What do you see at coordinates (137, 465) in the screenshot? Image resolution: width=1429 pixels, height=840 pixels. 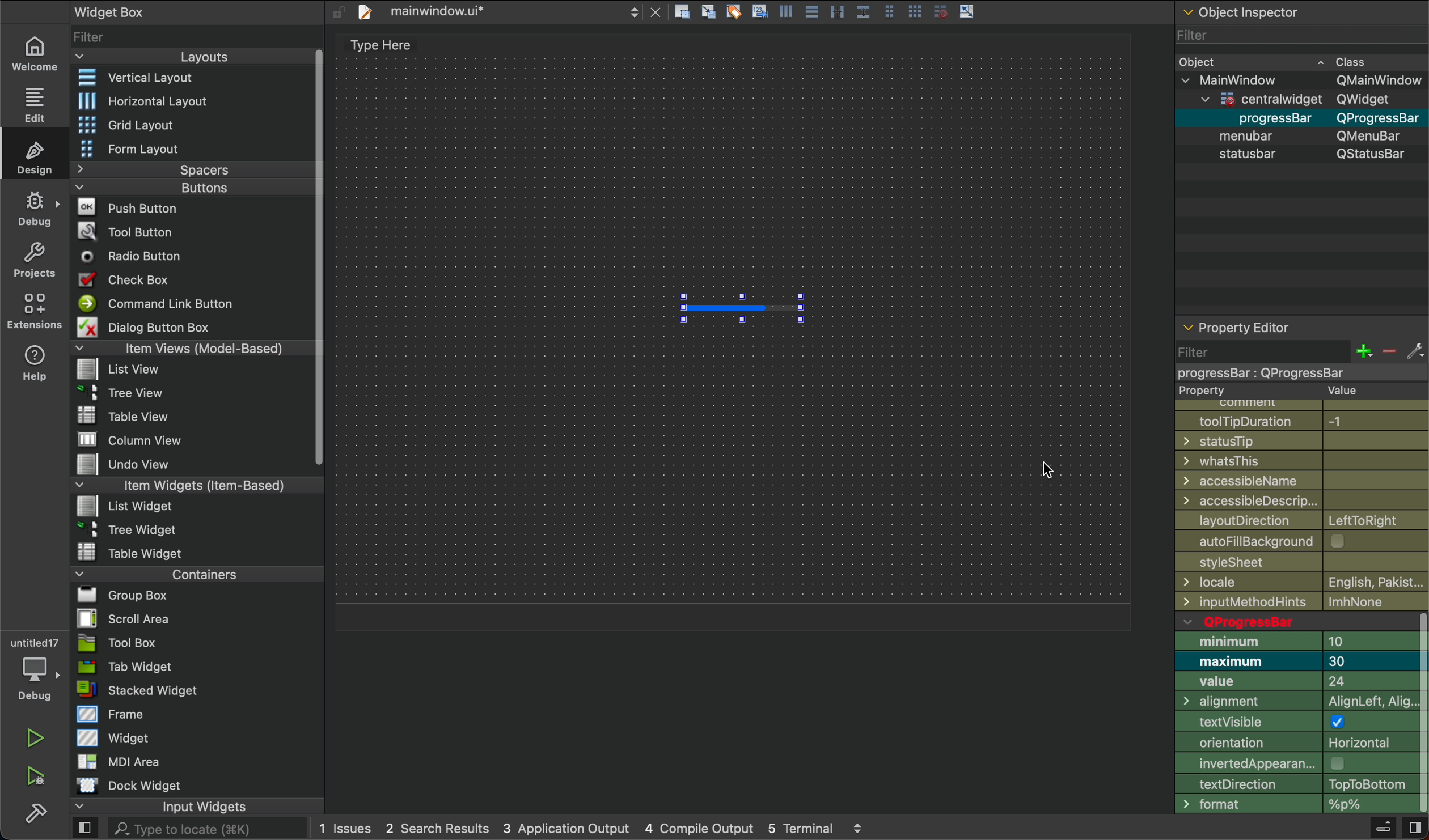 I see `File` at bounding box center [137, 465].